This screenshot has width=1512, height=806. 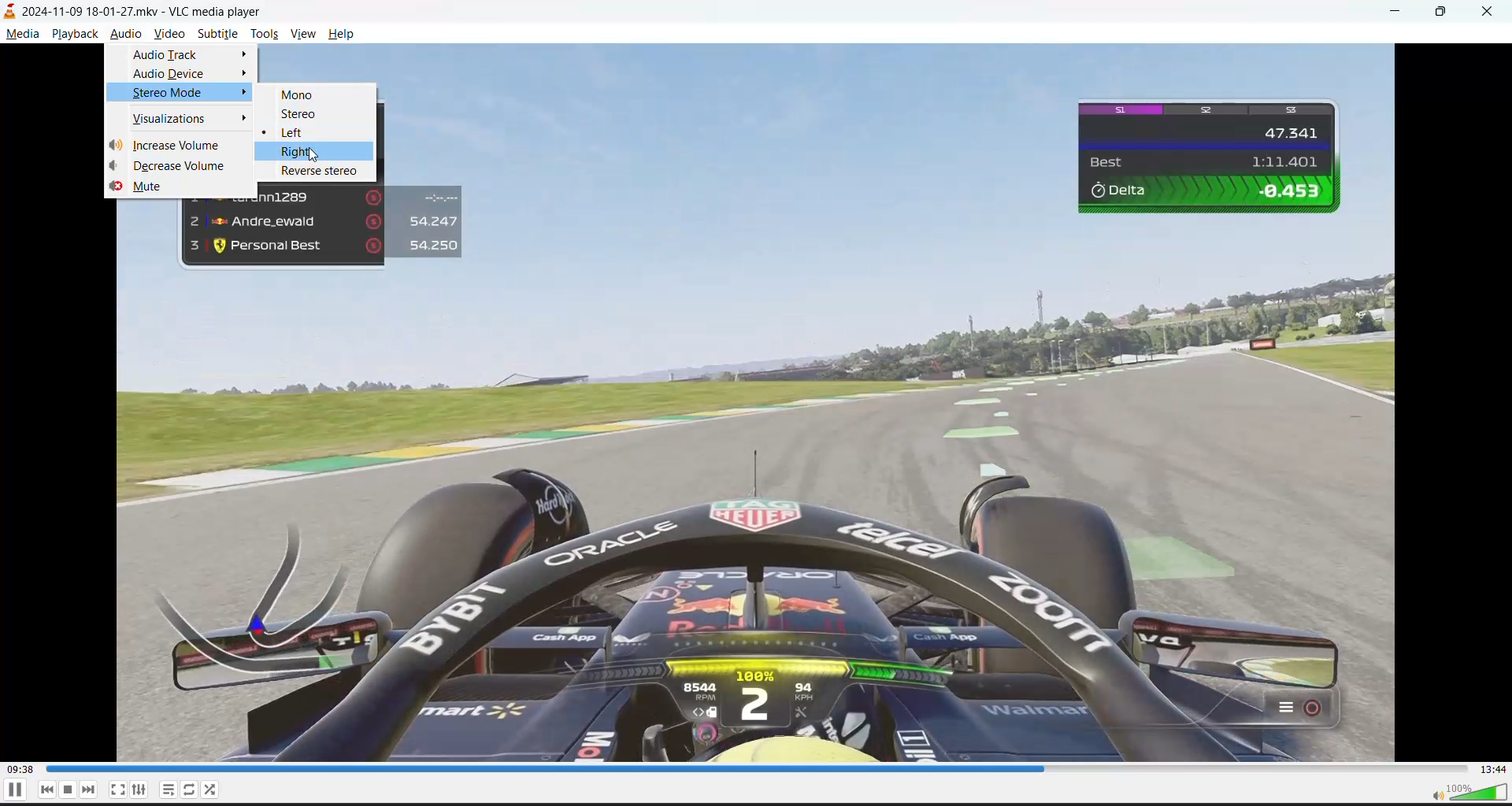 I want to click on pause, so click(x=67, y=791).